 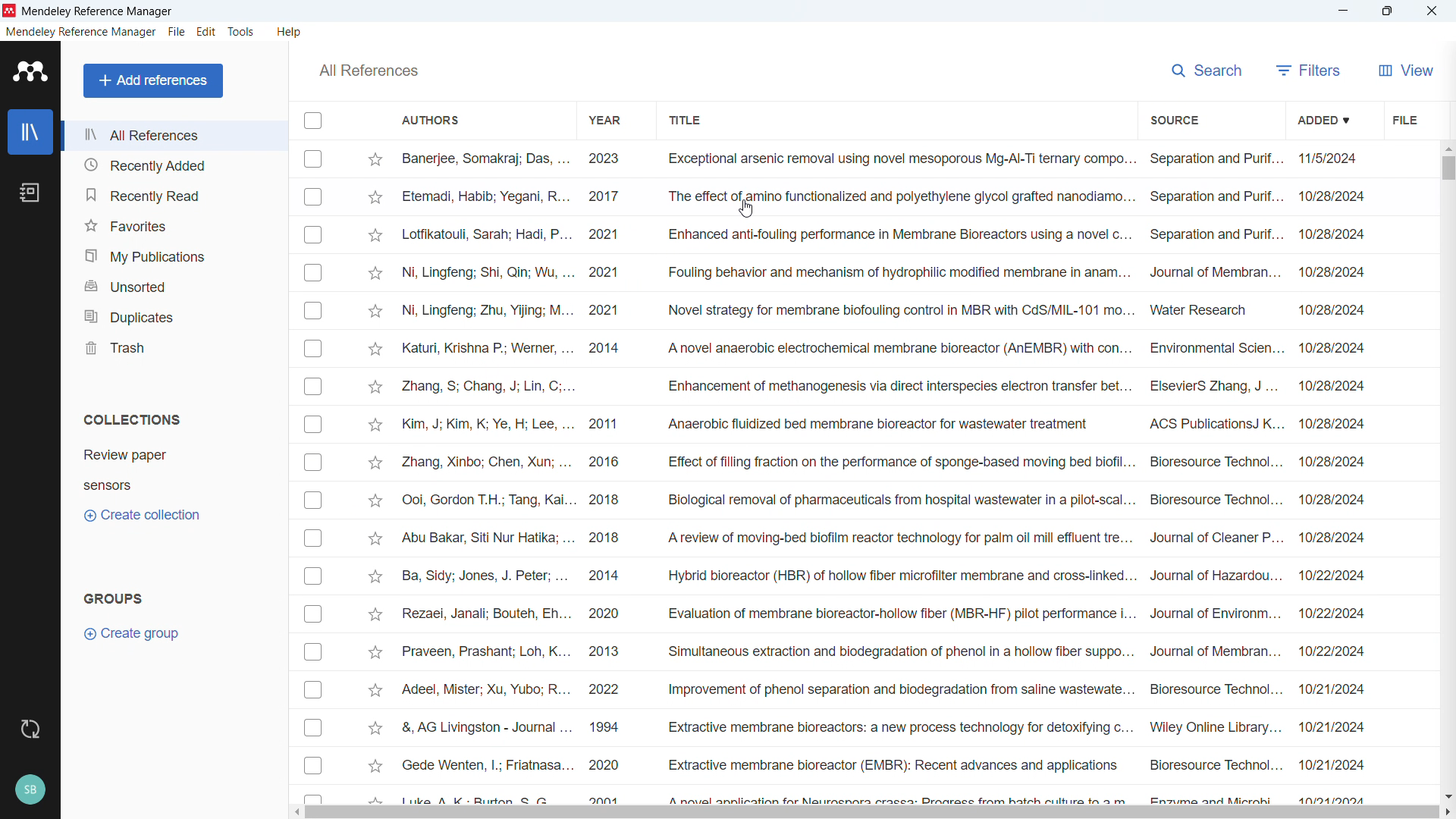 I want to click on all references, so click(x=174, y=134).